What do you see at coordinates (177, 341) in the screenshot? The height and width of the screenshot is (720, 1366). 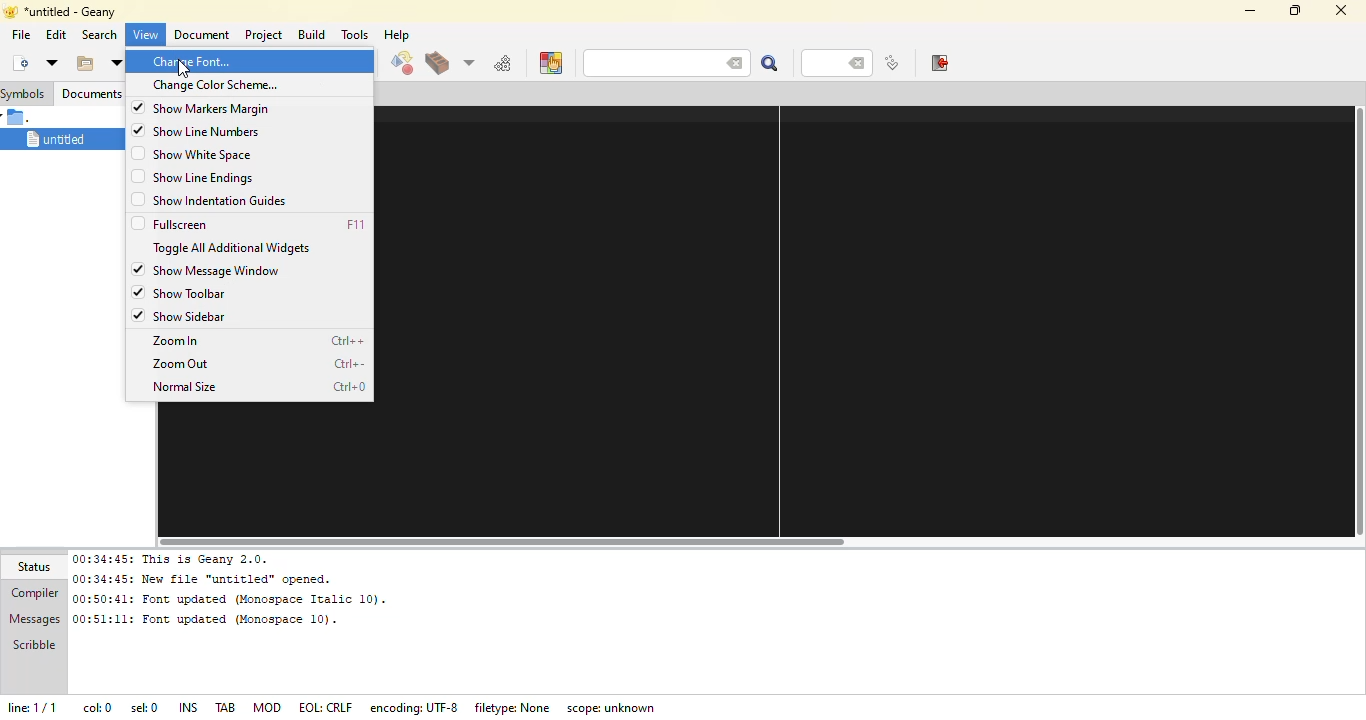 I see `zoom in` at bounding box center [177, 341].